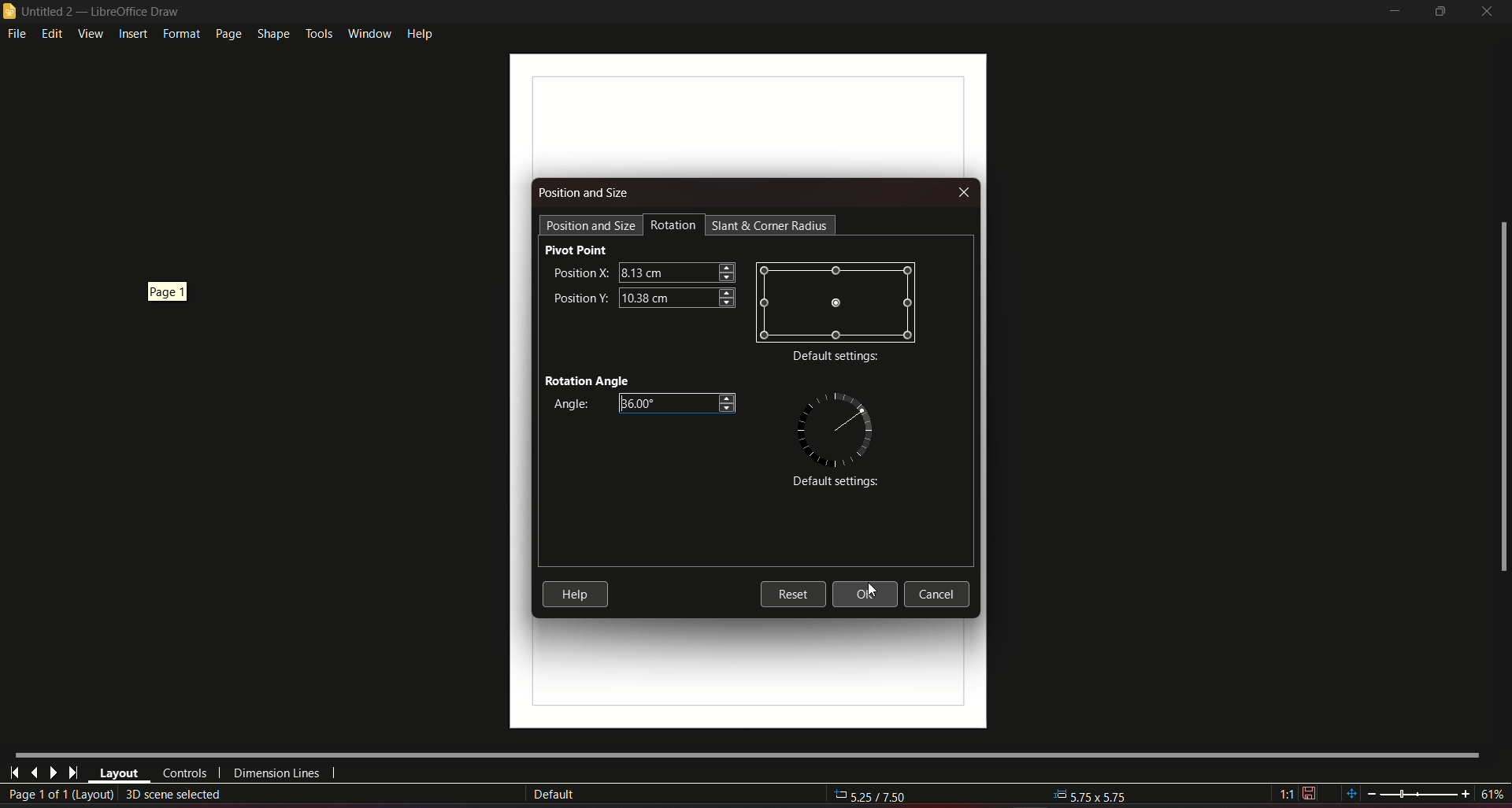 This screenshot has height=808, width=1512. I want to click on edit, so click(53, 33).